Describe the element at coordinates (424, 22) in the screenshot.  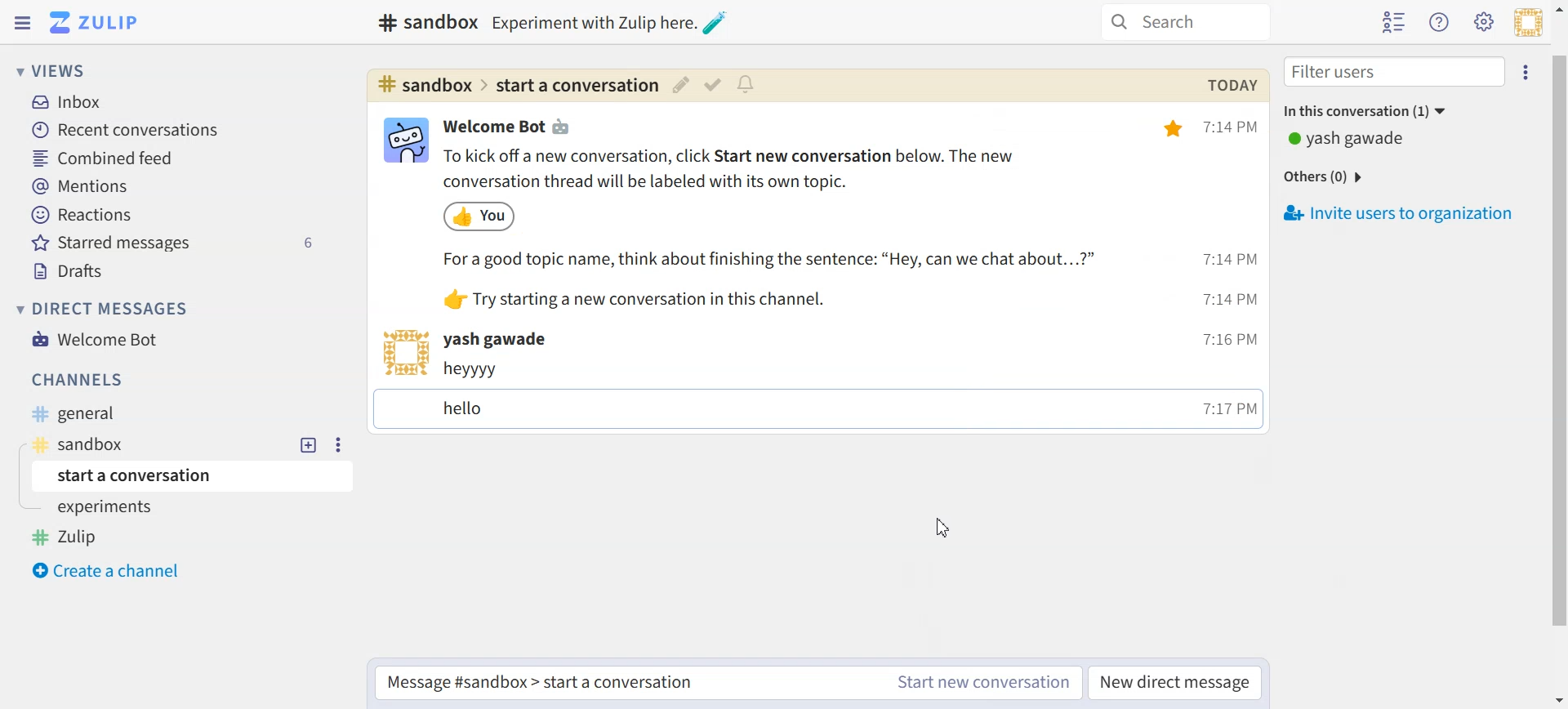
I see `Text` at that location.